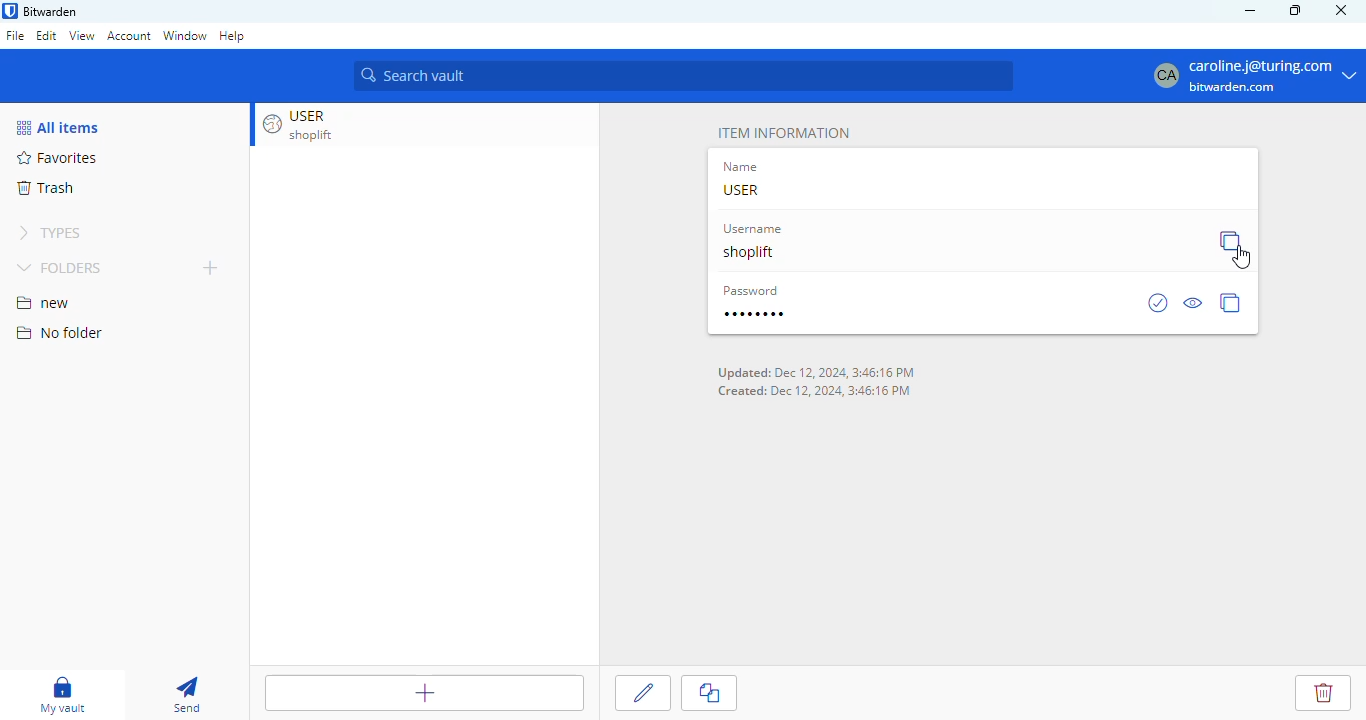 The image size is (1366, 720). Describe the element at coordinates (685, 77) in the screenshot. I see `search vault` at that location.